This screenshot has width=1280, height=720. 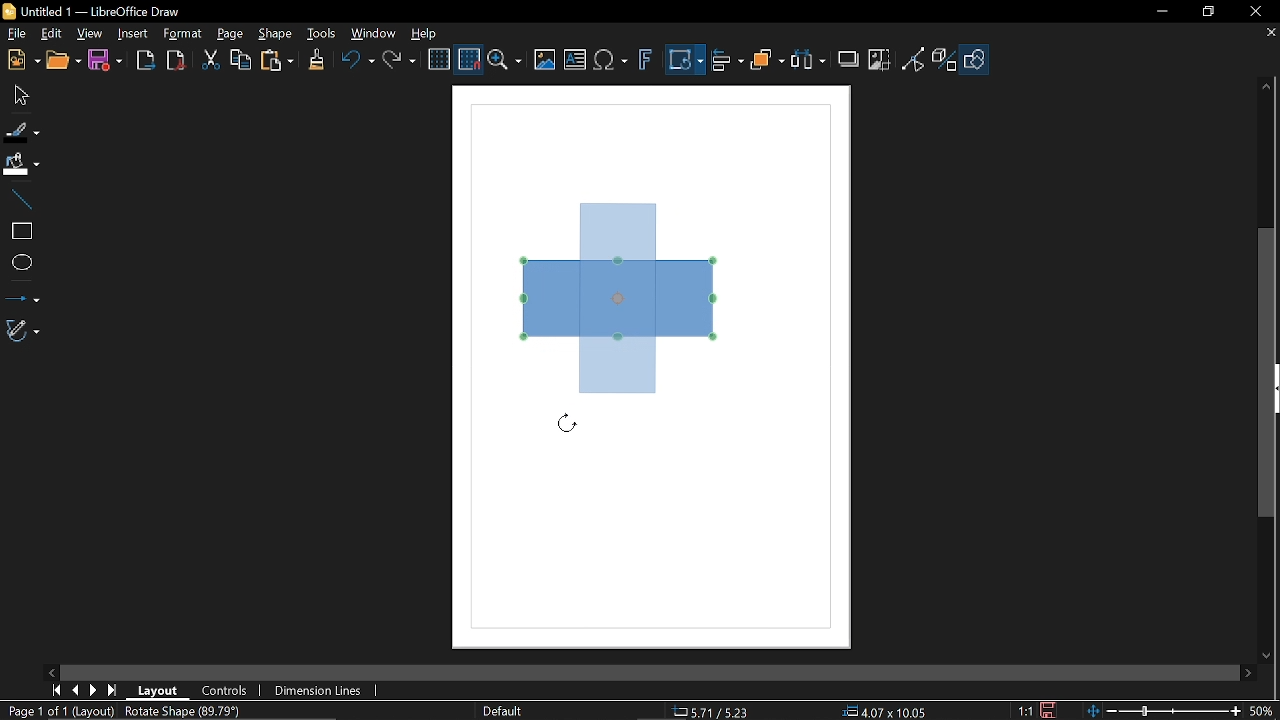 What do you see at coordinates (104, 62) in the screenshot?
I see `Save` at bounding box center [104, 62].